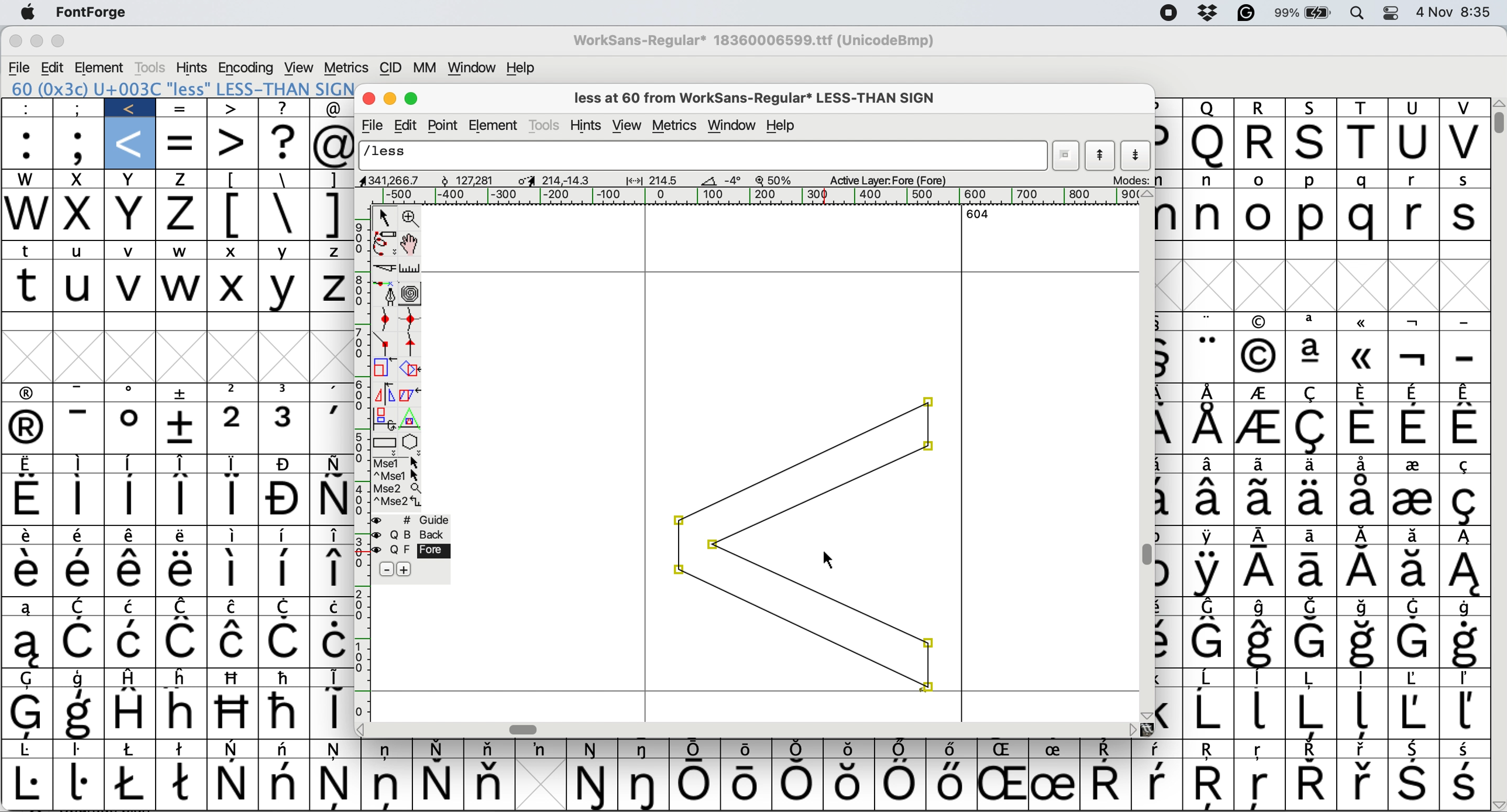 The width and height of the screenshot is (1507, 812). Describe the element at coordinates (1363, 749) in the screenshot. I see `Symbol` at that location.